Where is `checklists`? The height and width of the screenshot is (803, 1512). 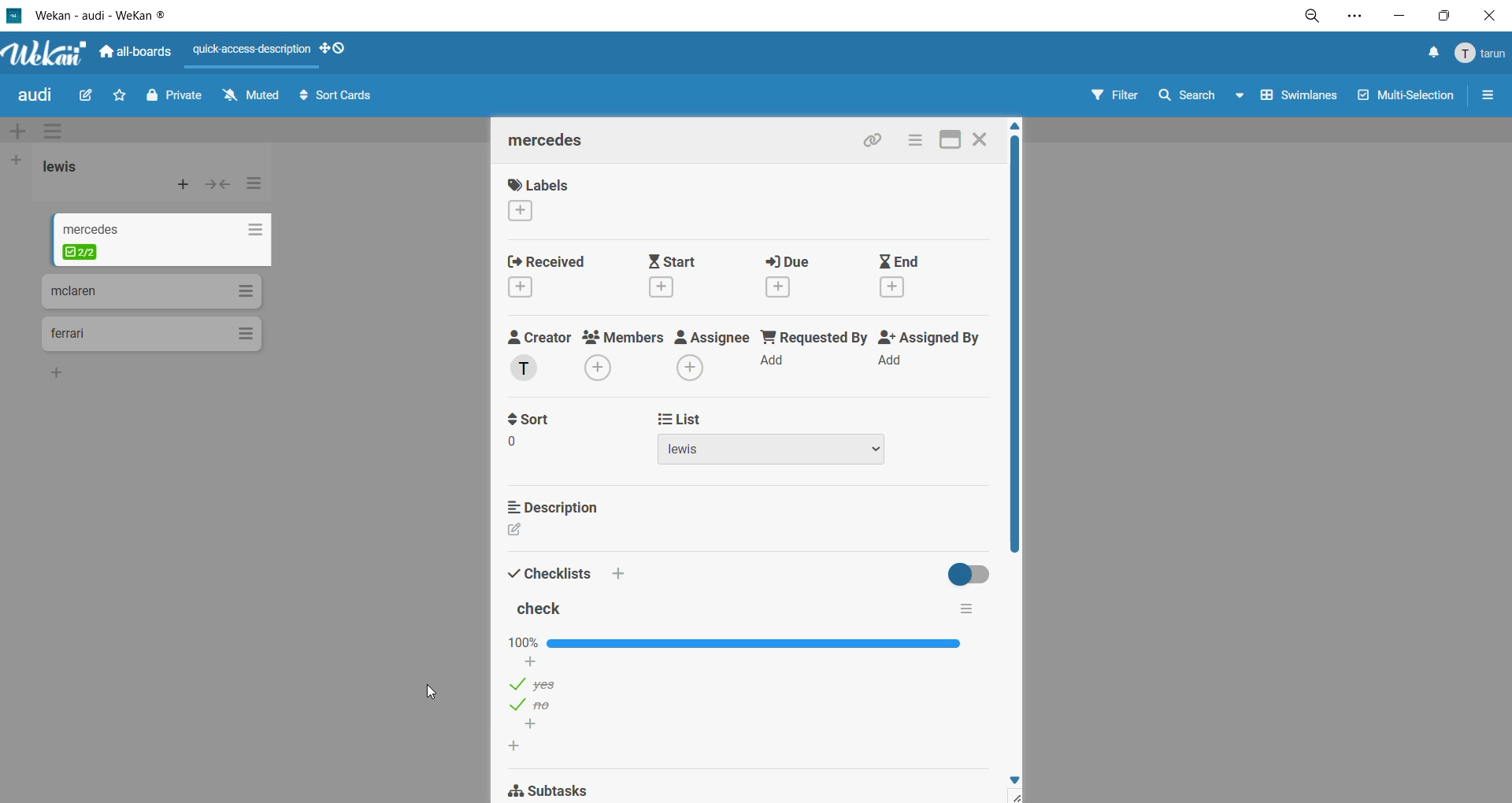
checklists is located at coordinates (570, 568).